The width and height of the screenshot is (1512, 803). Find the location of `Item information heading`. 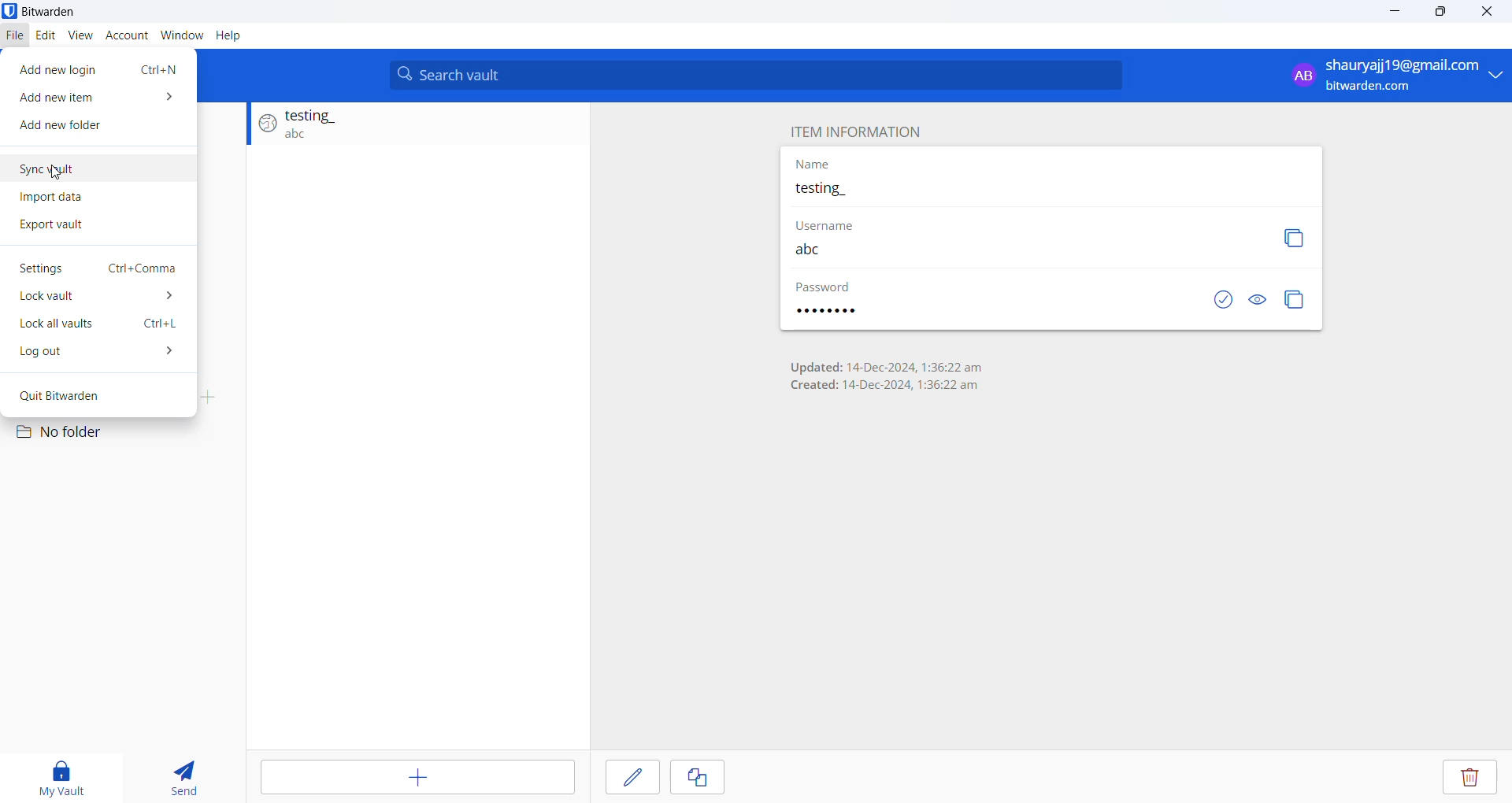

Item information heading is located at coordinates (859, 131).